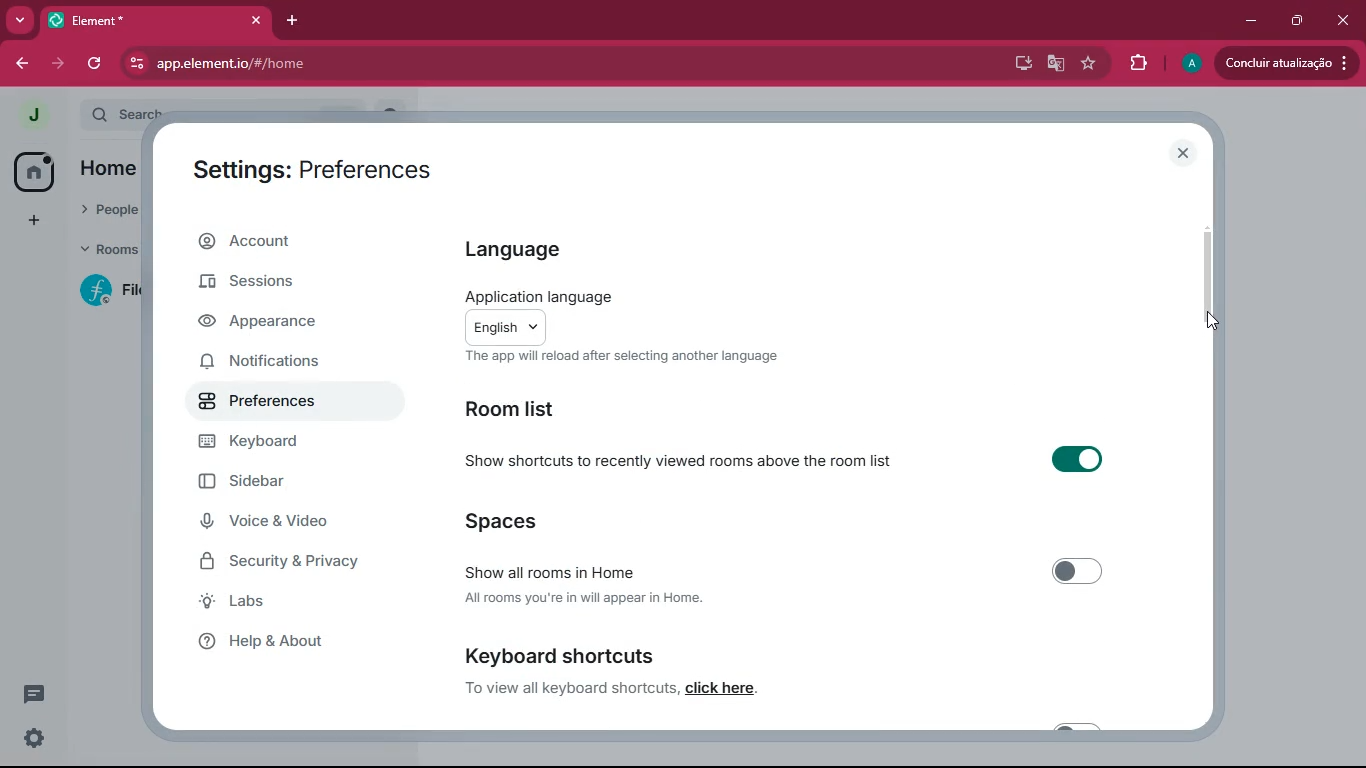  I want to click on more, so click(16, 21).